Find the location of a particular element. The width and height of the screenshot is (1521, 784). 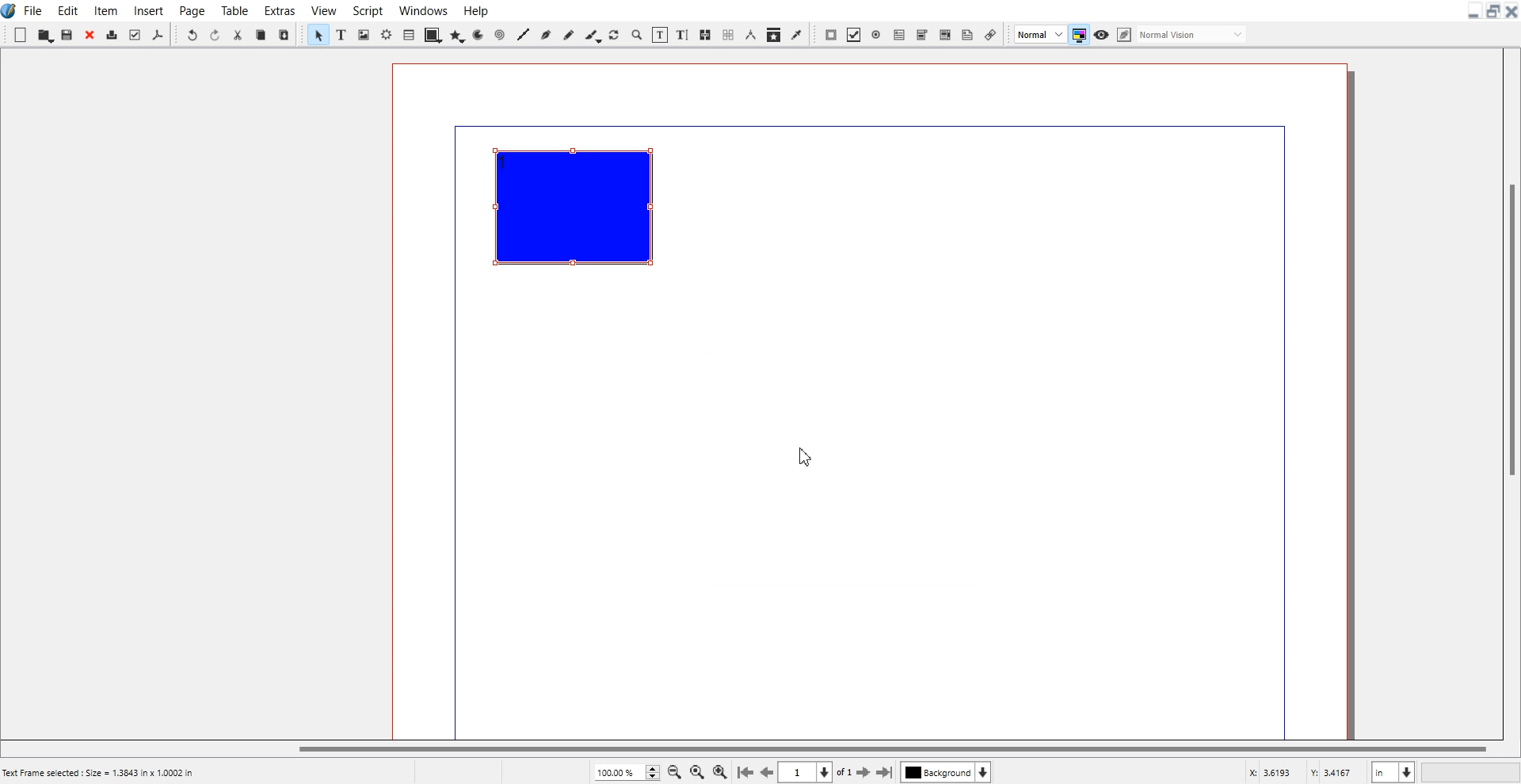

Rotate Item is located at coordinates (613, 35).